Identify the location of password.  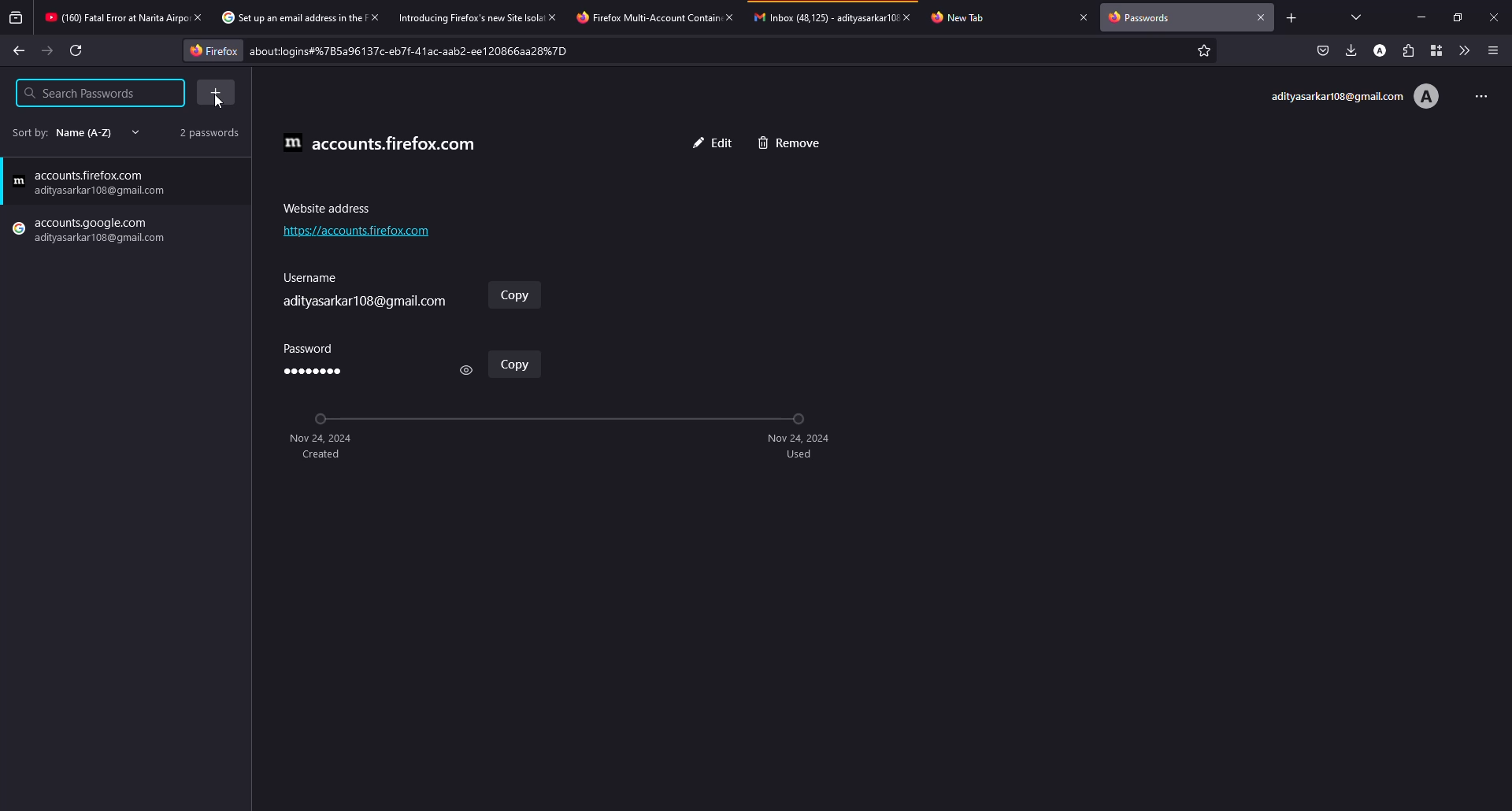
(305, 347).